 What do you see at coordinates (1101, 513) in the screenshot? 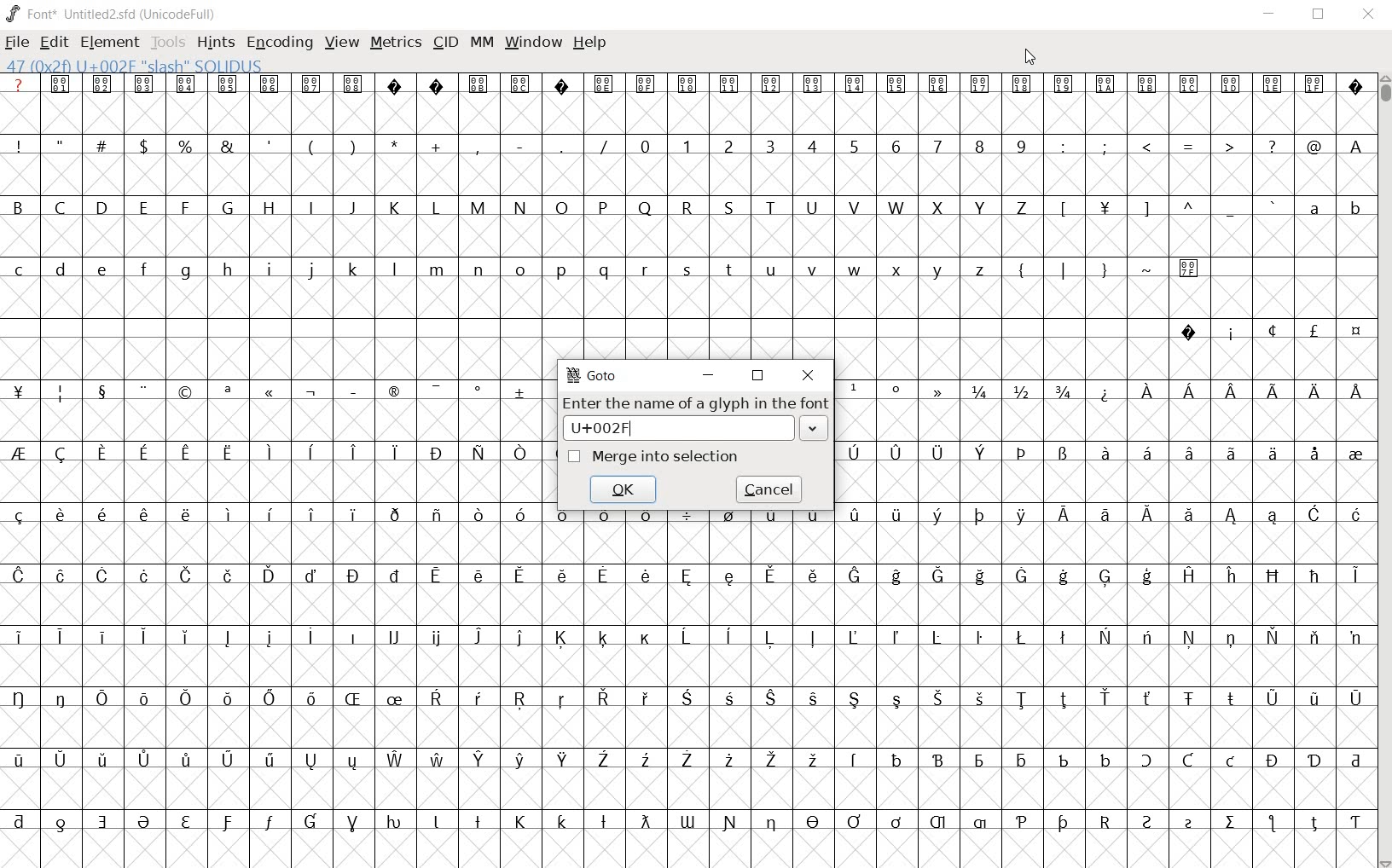
I see `special letter` at bounding box center [1101, 513].